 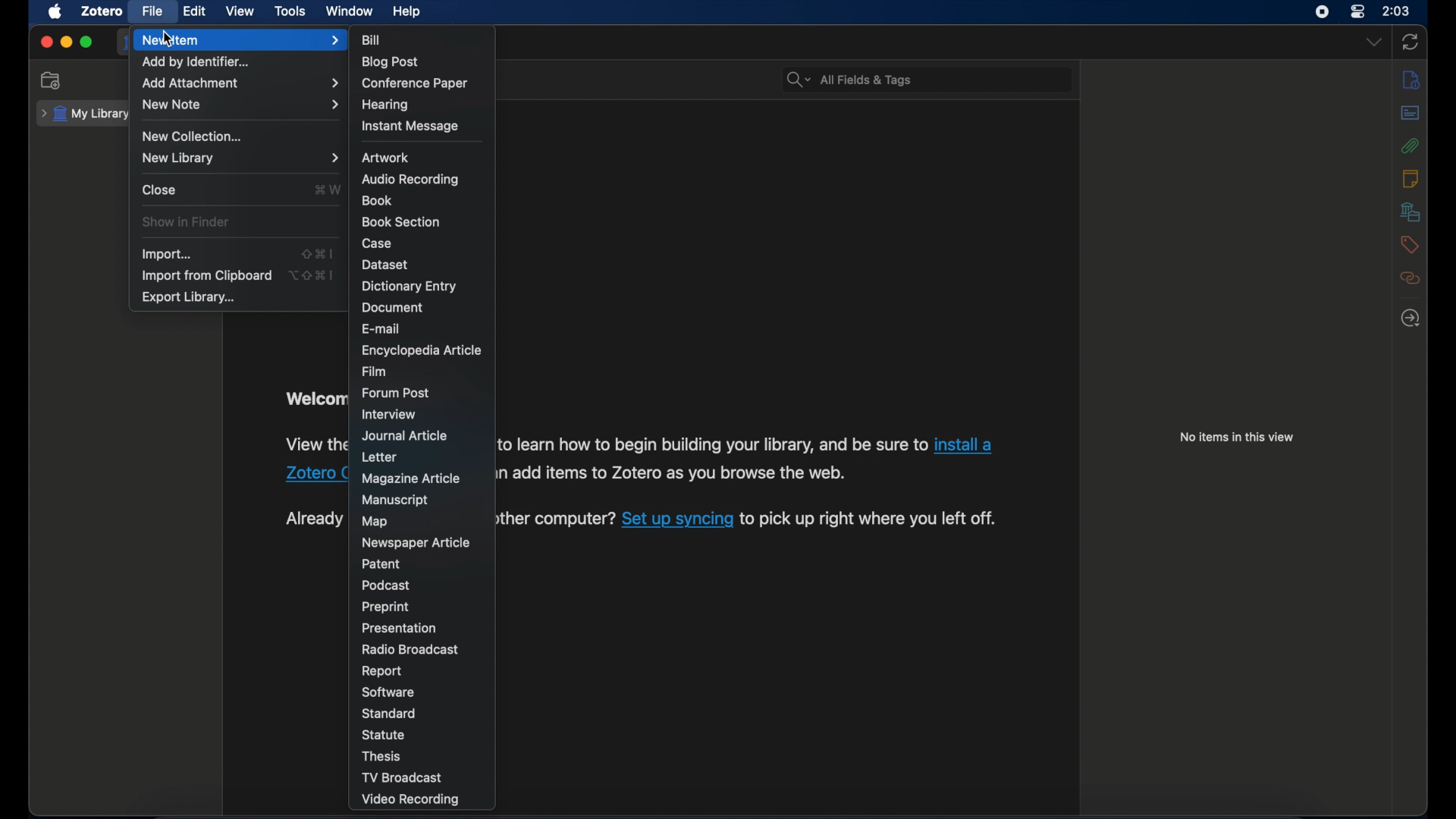 I want to click on control center, so click(x=1357, y=12).